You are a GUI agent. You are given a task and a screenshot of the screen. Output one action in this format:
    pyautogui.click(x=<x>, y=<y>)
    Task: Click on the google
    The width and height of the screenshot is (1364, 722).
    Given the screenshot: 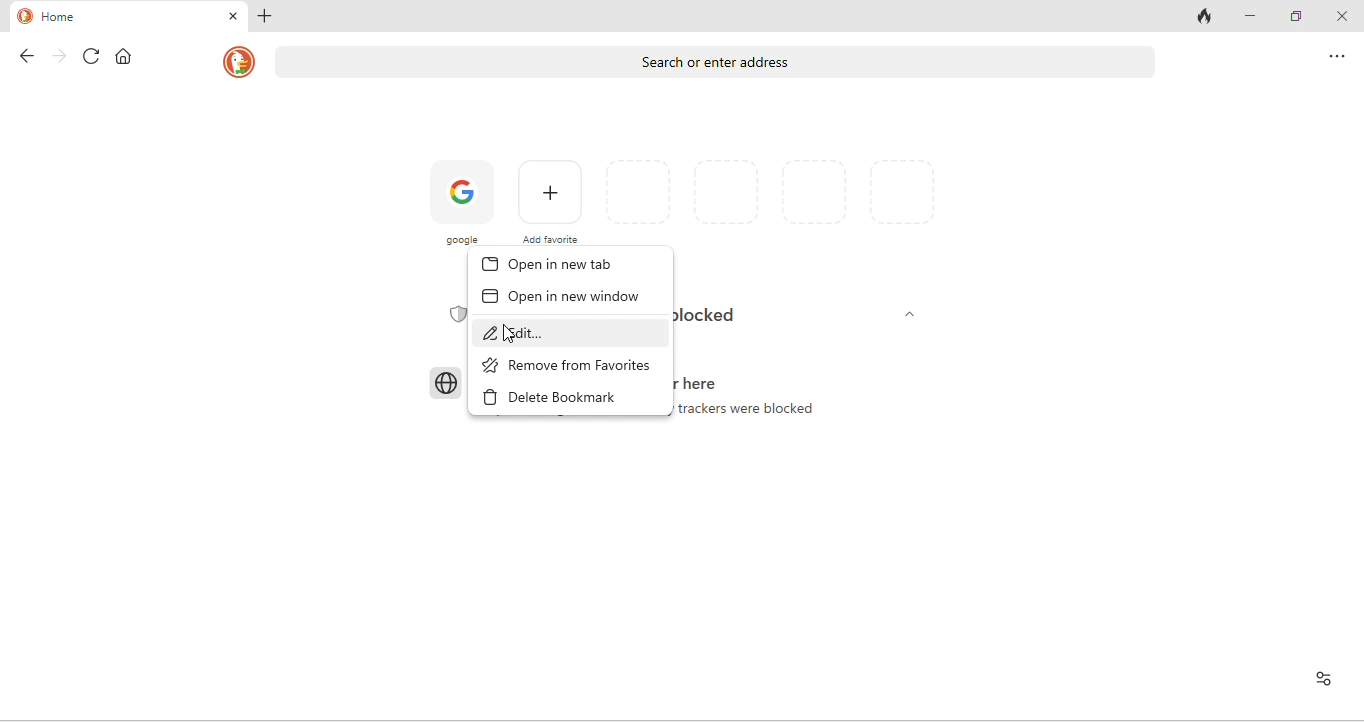 What is the action you would take?
    pyautogui.click(x=463, y=201)
    